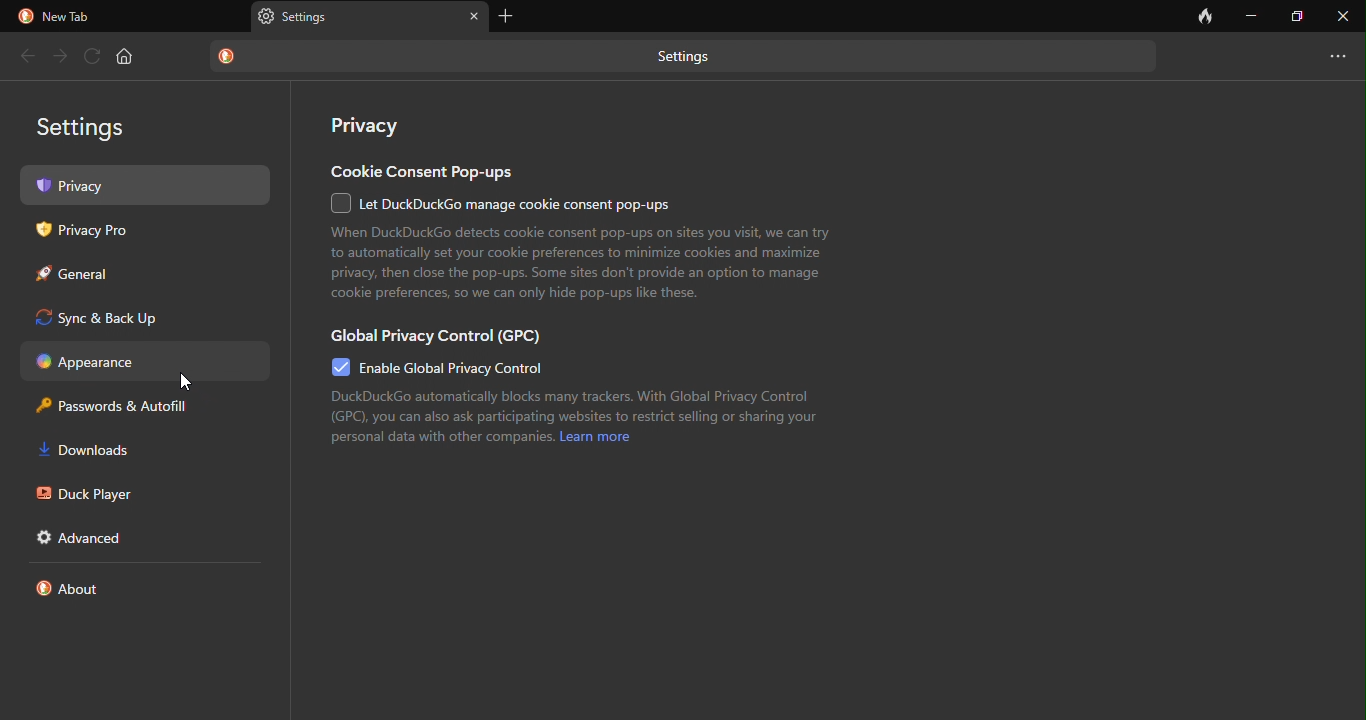 This screenshot has height=720, width=1366. I want to click on sync and back up, so click(153, 318).